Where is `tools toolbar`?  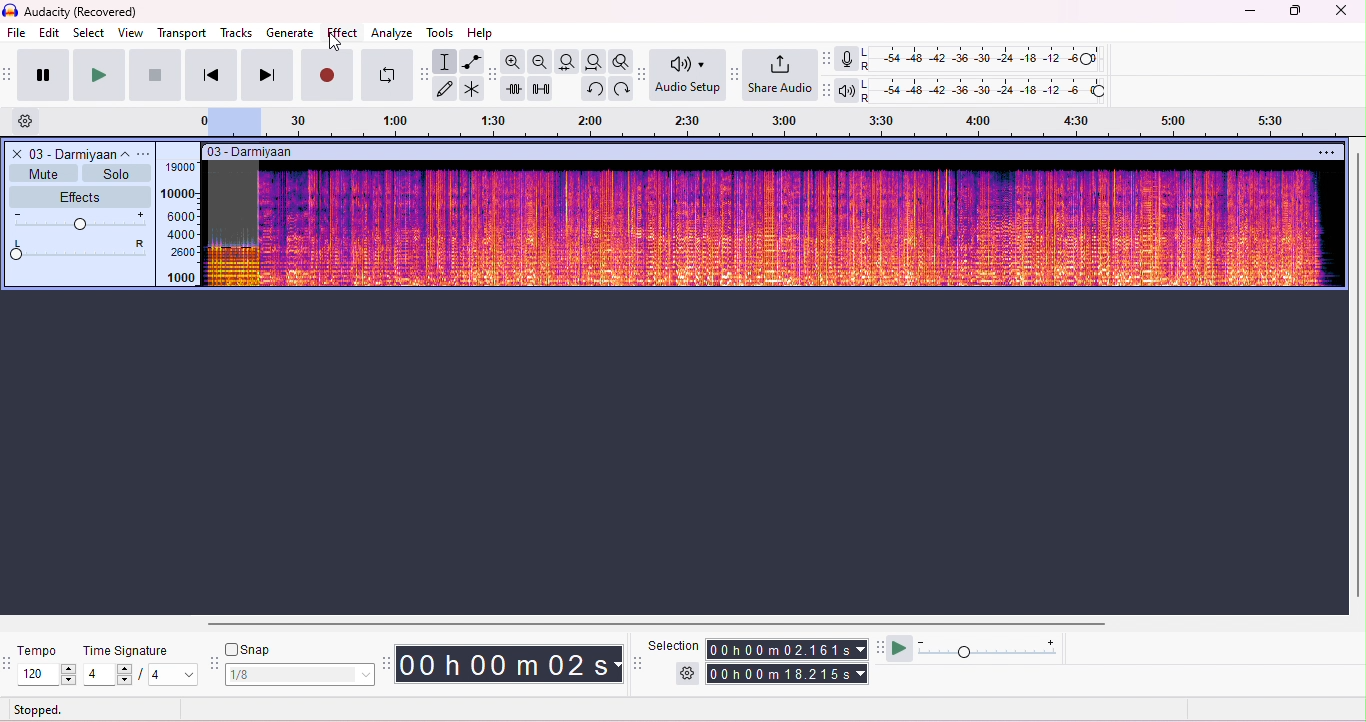 tools toolbar is located at coordinates (424, 75).